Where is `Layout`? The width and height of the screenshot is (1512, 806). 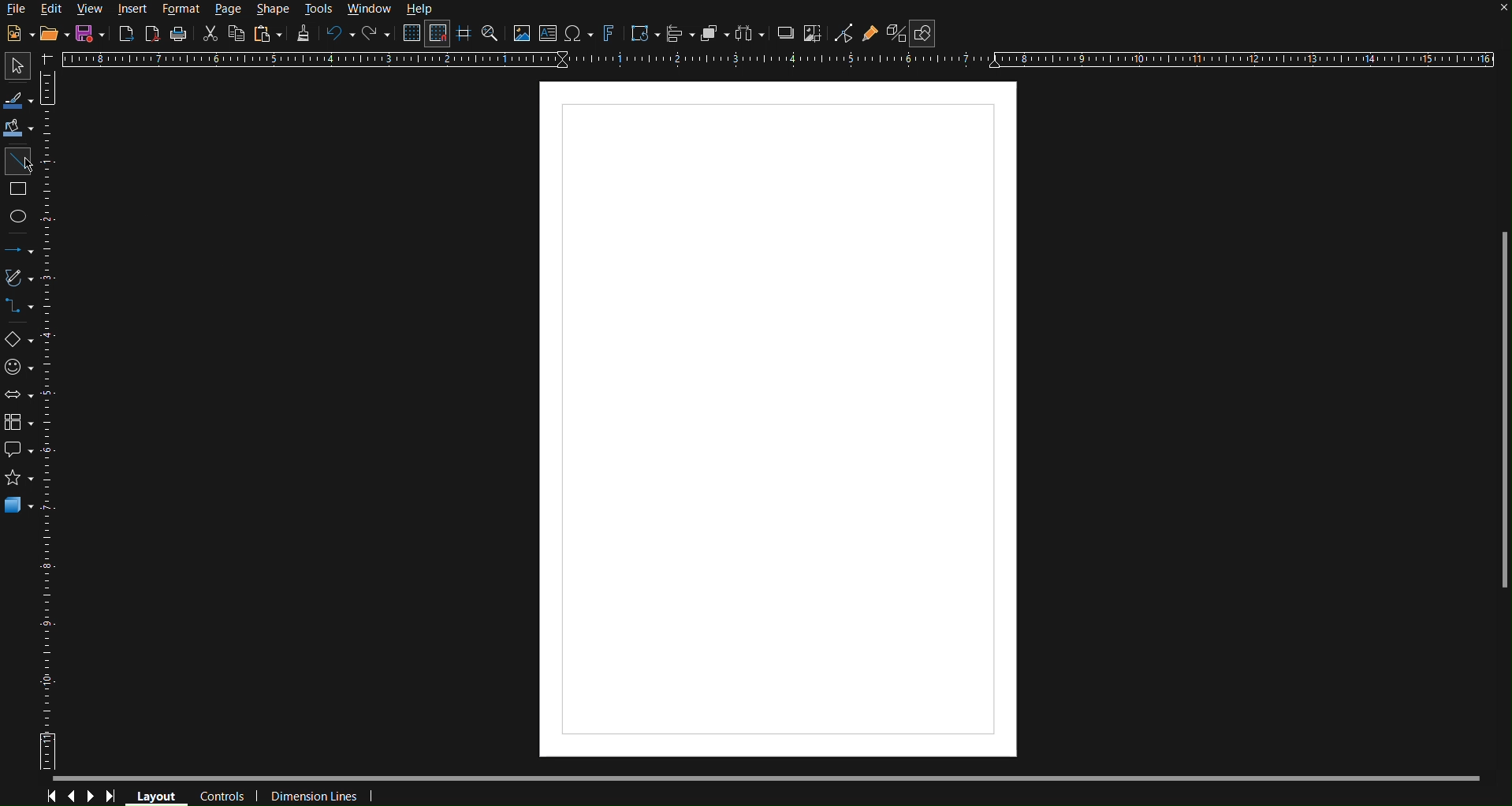
Layout is located at coordinates (158, 796).